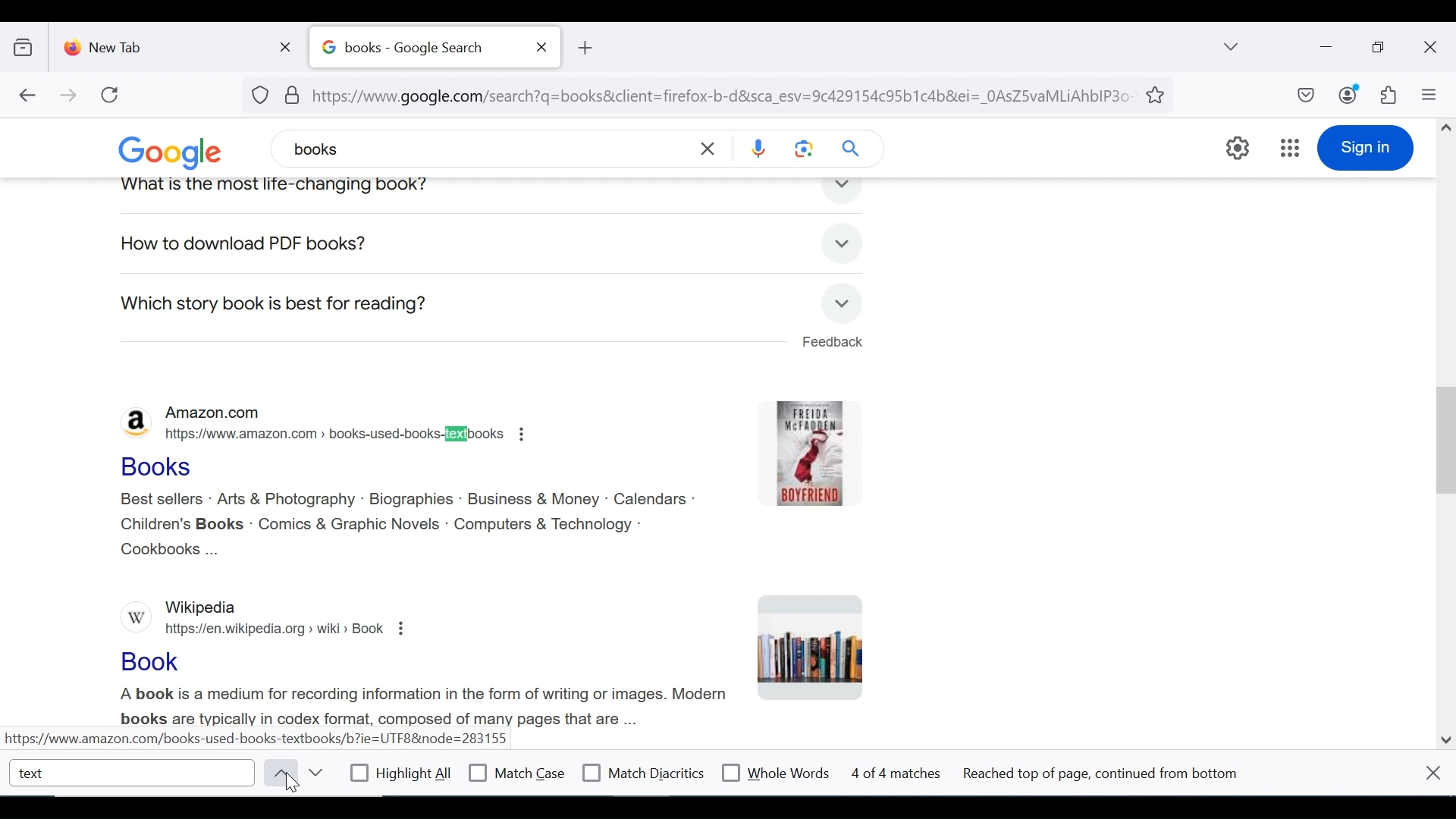 The height and width of the screenshot is (819, 1456). Describe the element at coordinates (518, 773) in the screenshot. I see `match case` at that location.